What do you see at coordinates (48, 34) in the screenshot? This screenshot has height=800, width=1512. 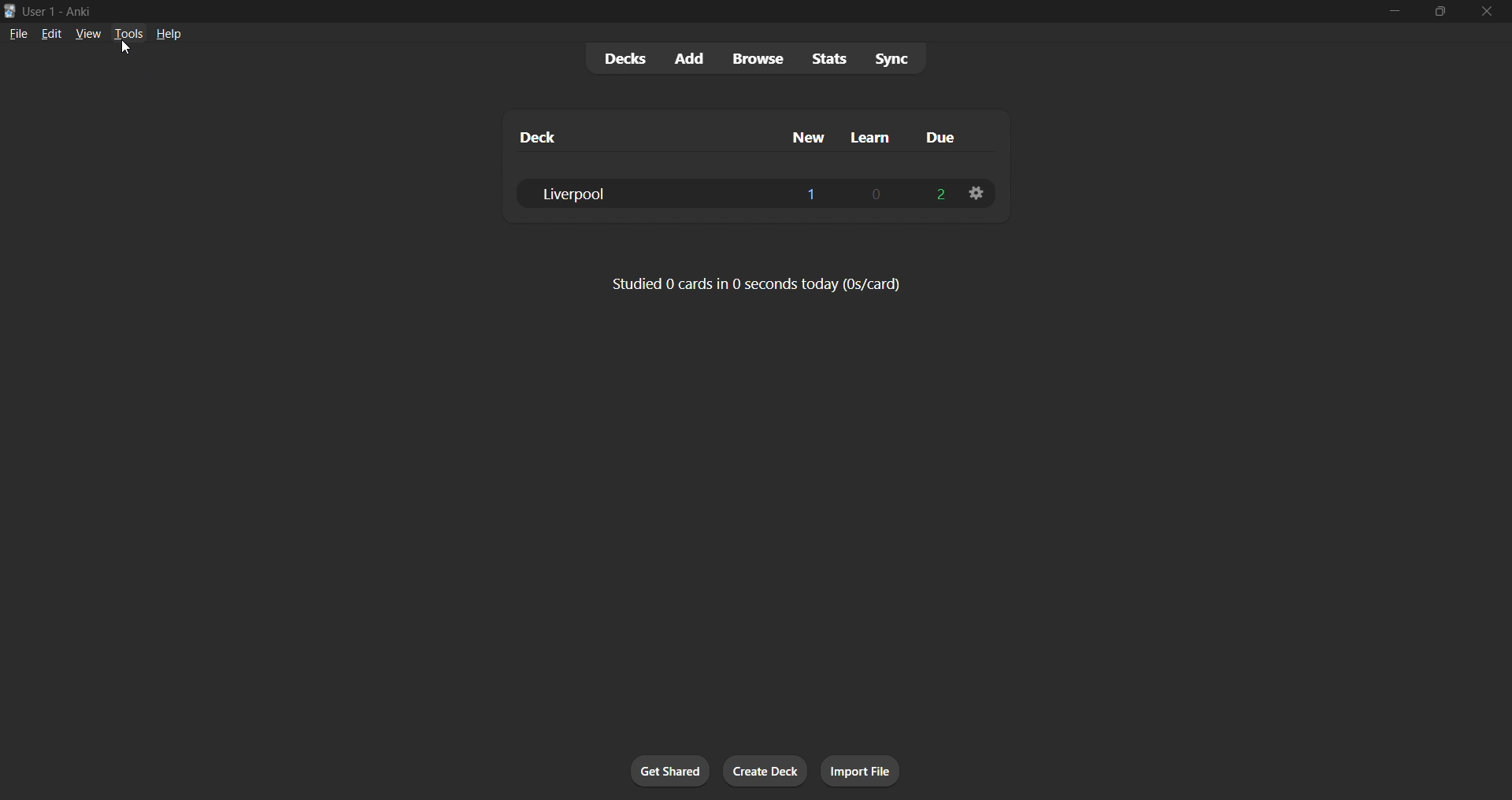 I see `edit` at bounding box center [48, 34].